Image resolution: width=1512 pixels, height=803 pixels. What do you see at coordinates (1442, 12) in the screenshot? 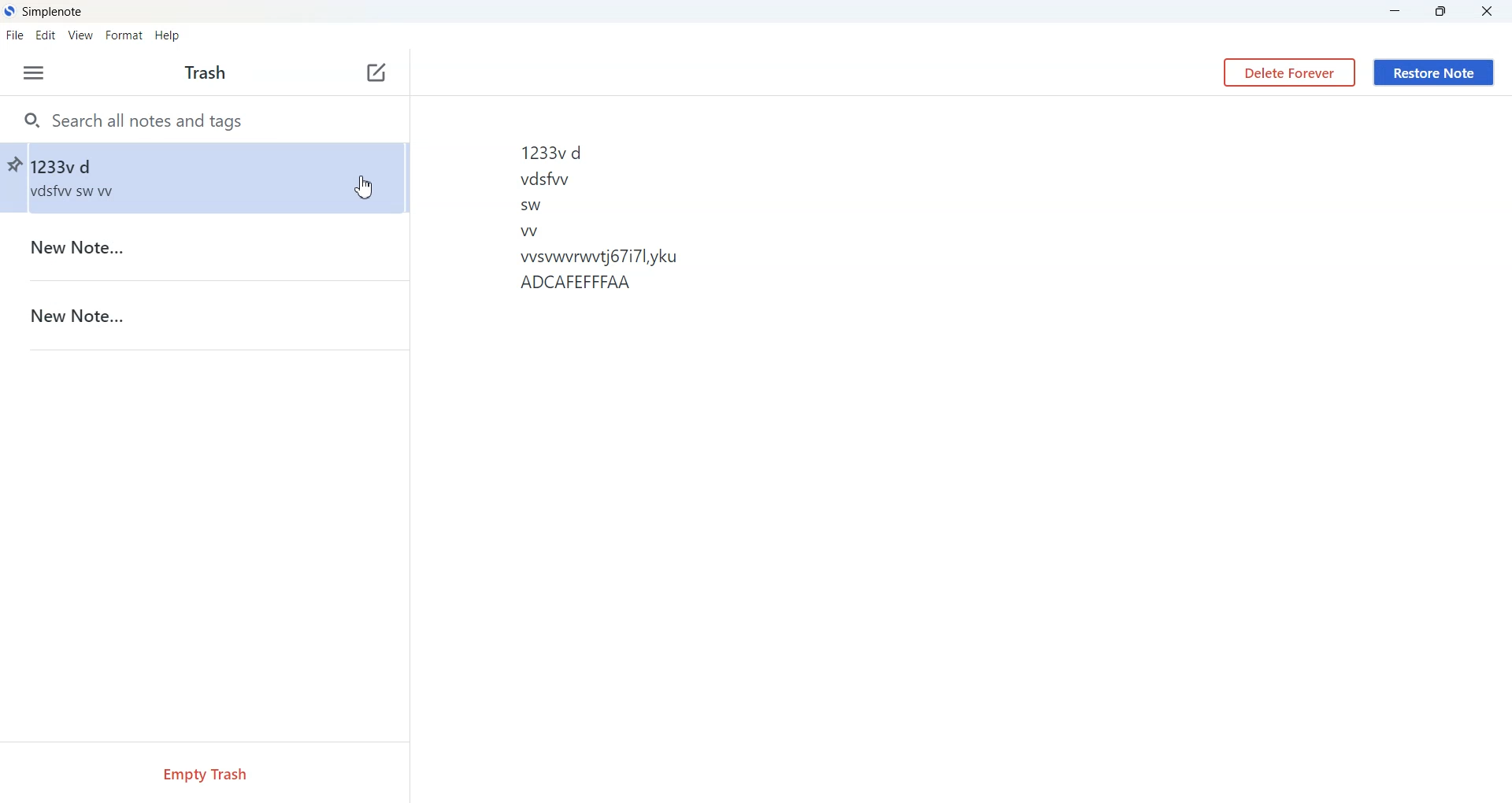
I see `Maximize` at bounding box center [1442, 12].